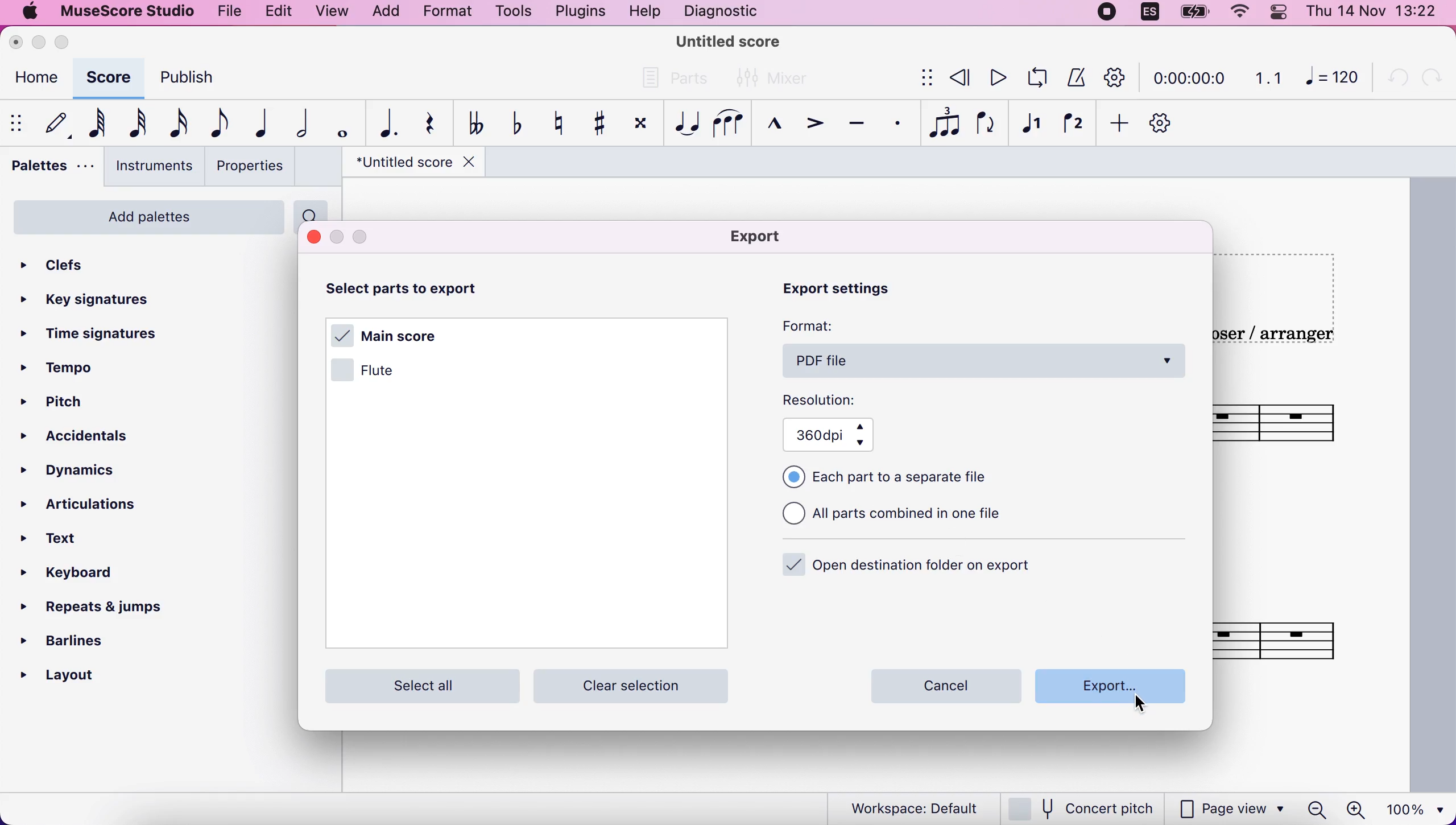 The image size is (1456, 825). I want to click on zoom in, so click(1359, 808).